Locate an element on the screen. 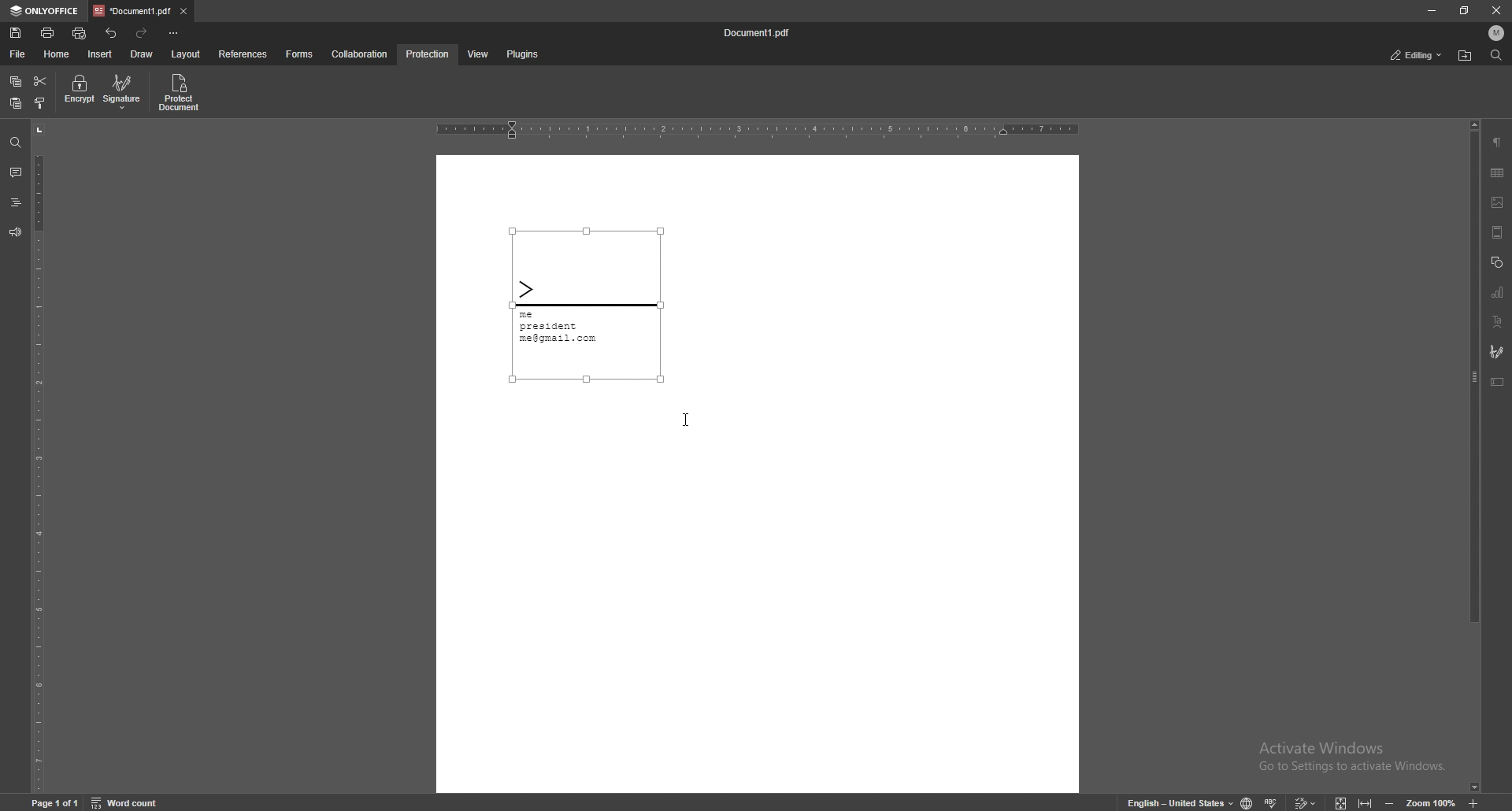 This screenshot has height=811, width=1512. track changes is located at coordinates (1303, 801).